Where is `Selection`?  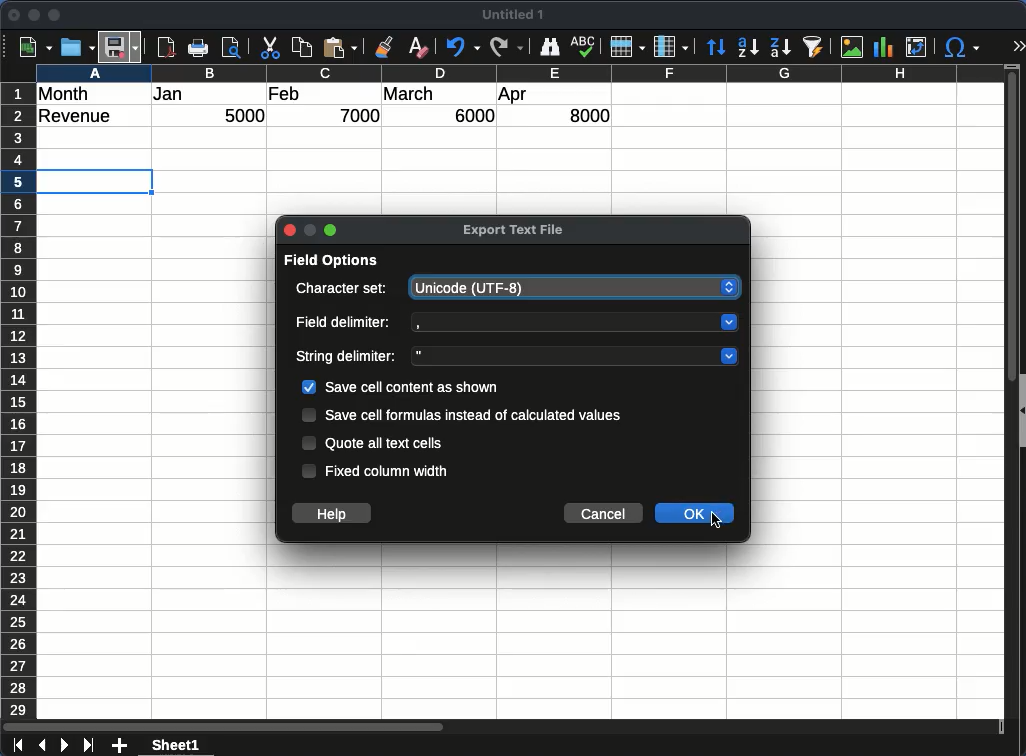
Selection is located at coordinates (91, 183).